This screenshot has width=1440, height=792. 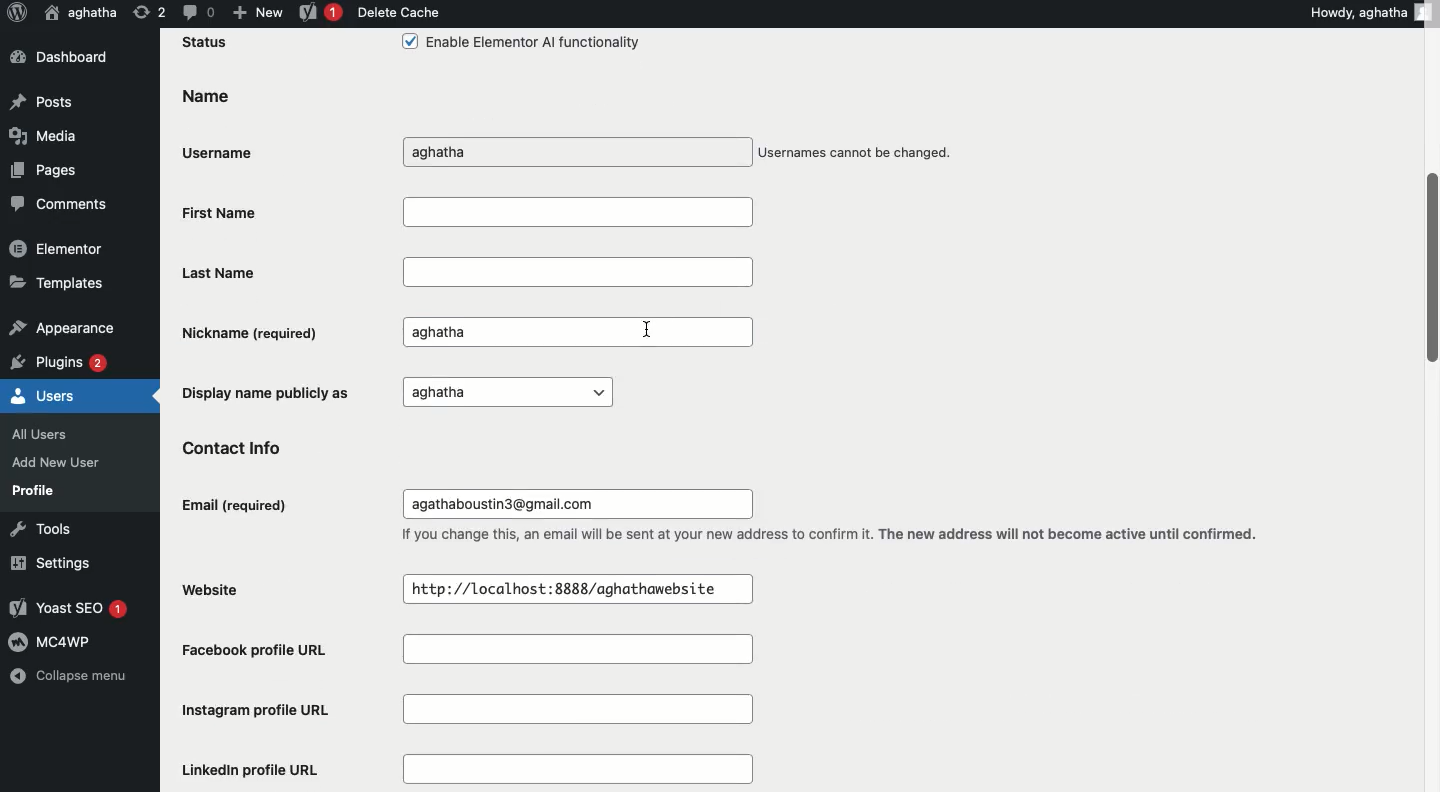 What do you see at coordinates (467, 271) in the screenshot?
I see `Last name` at bounding box center [467, 271].